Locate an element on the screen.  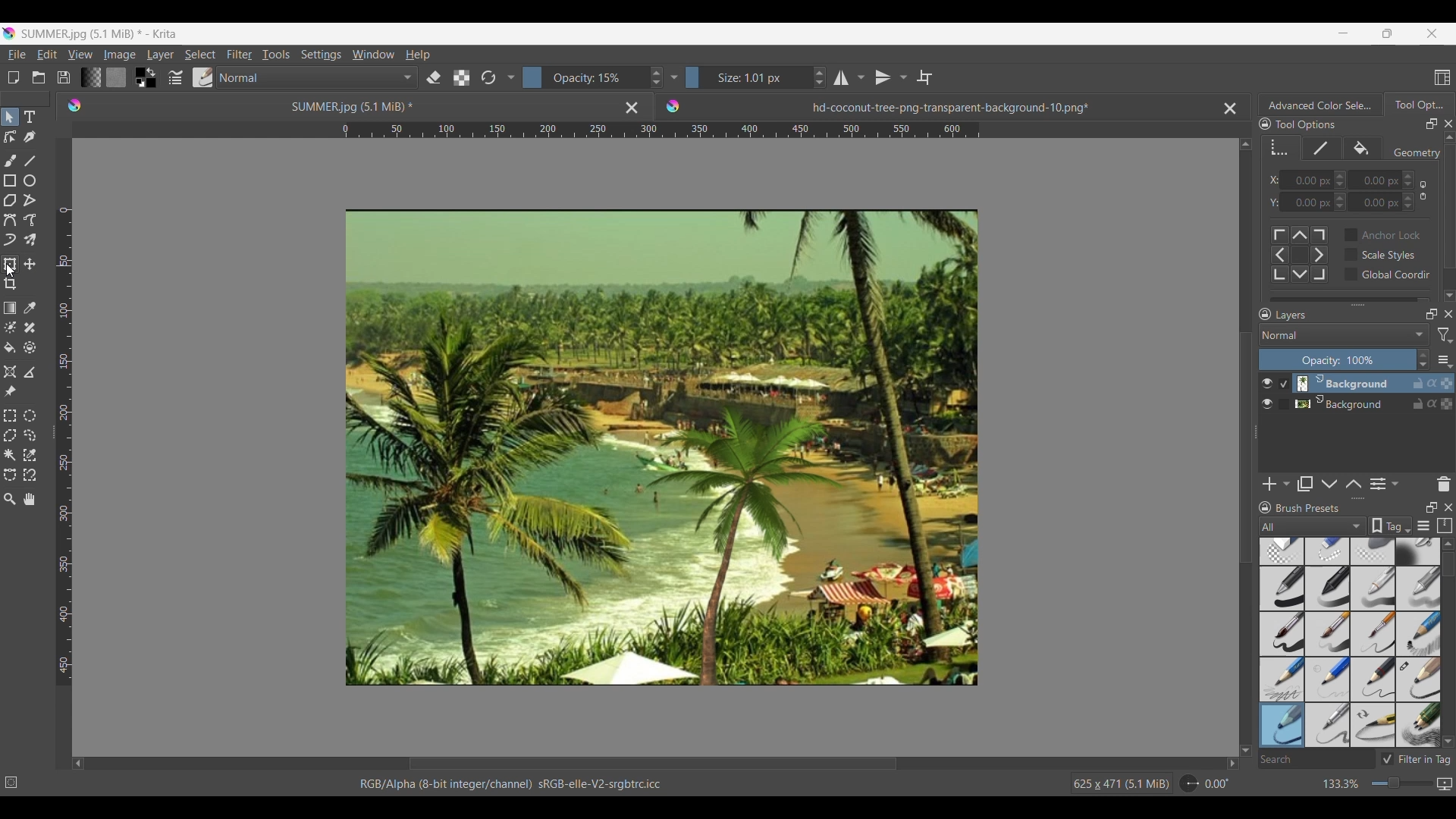
Bezier curve selection tool is located at coordinates (10, 474).